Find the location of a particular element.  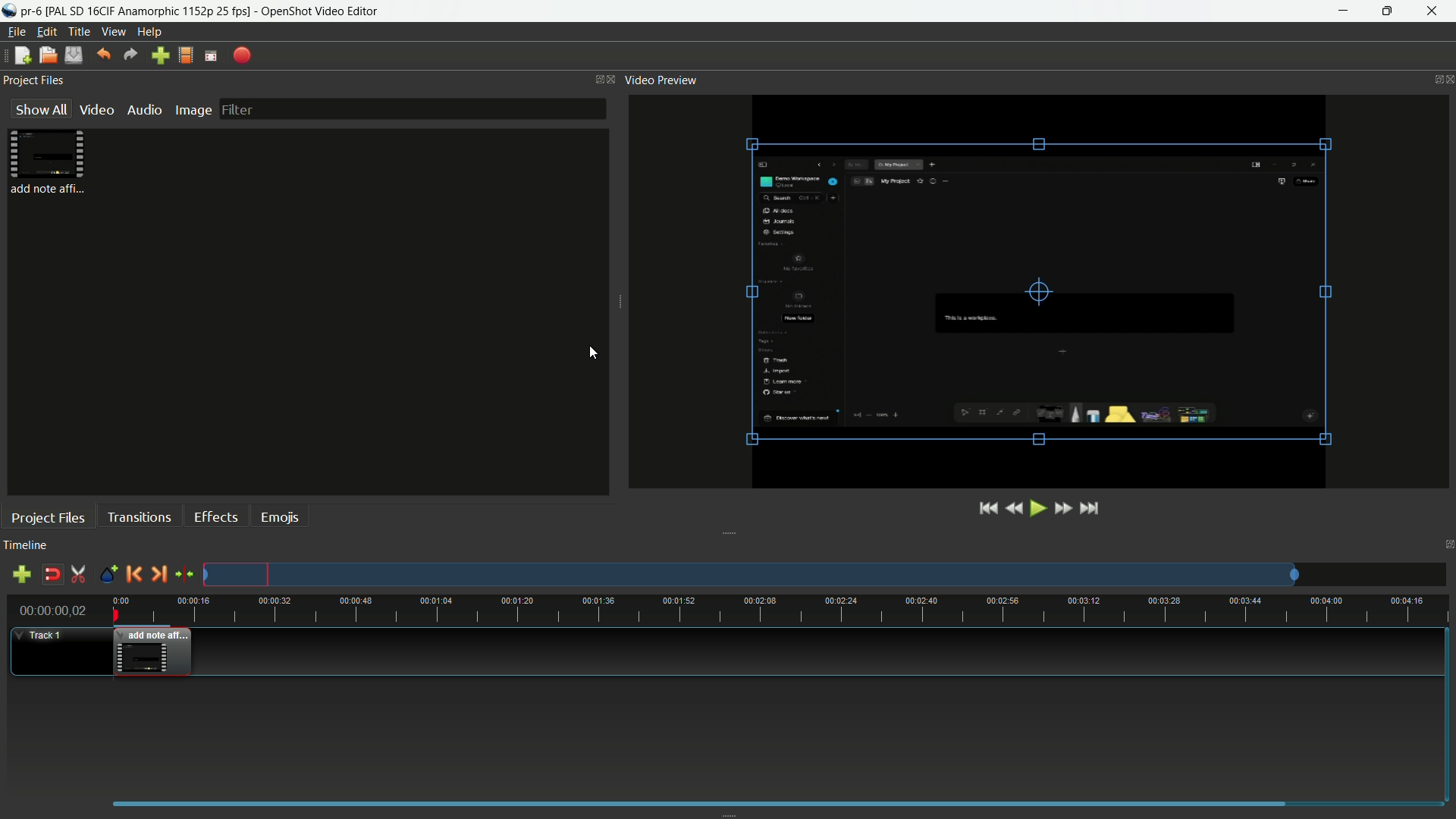

undo is located at coordinates (105, 54).